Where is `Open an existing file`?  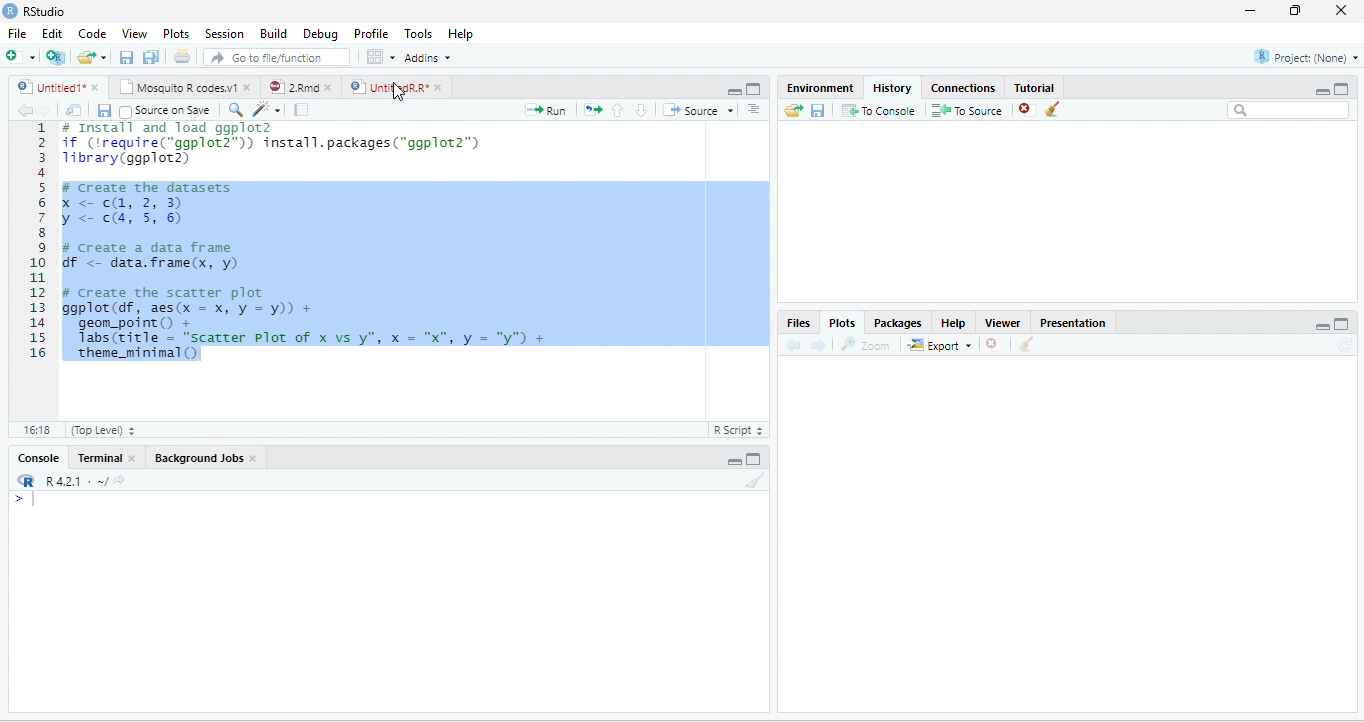 Open an existing file is located at coordinates (86, 57).